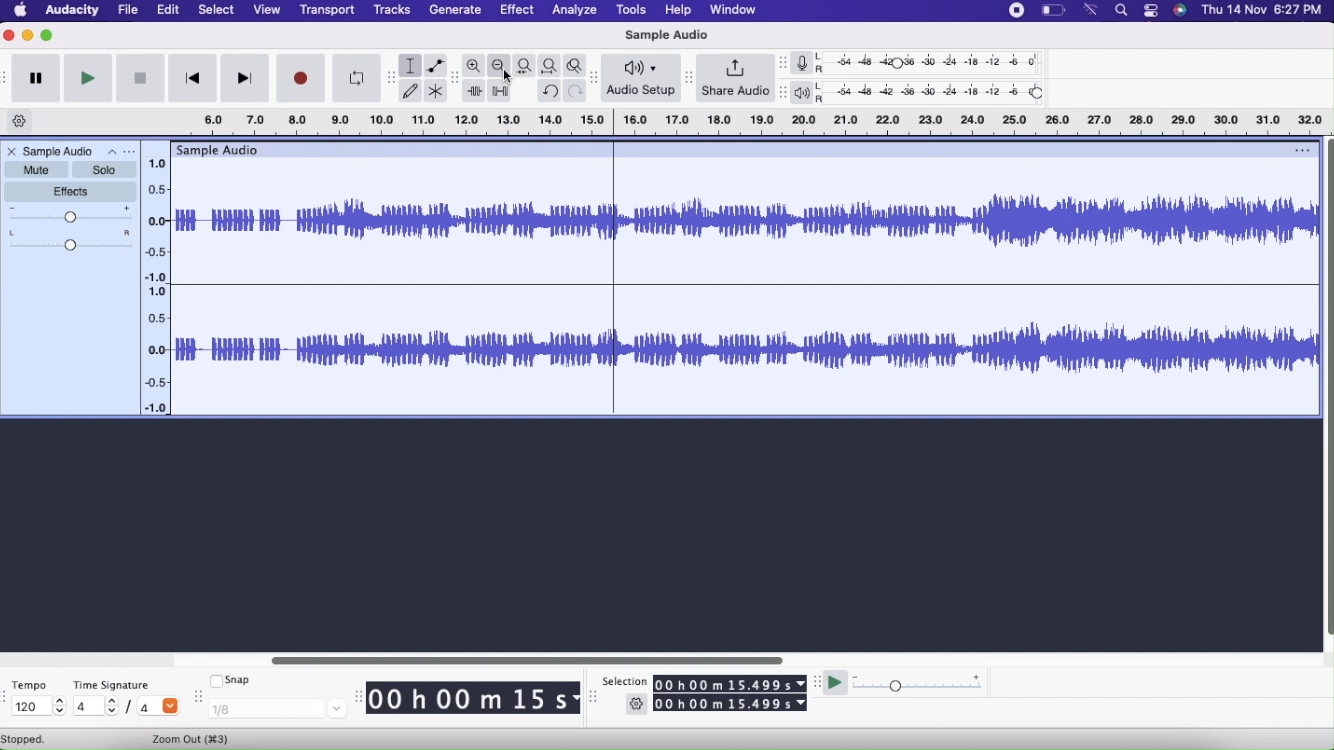  What do you see at coordinates (501, 90) in the screenshot?
I see `Silence audio selection` at bounding box center [501, 90].